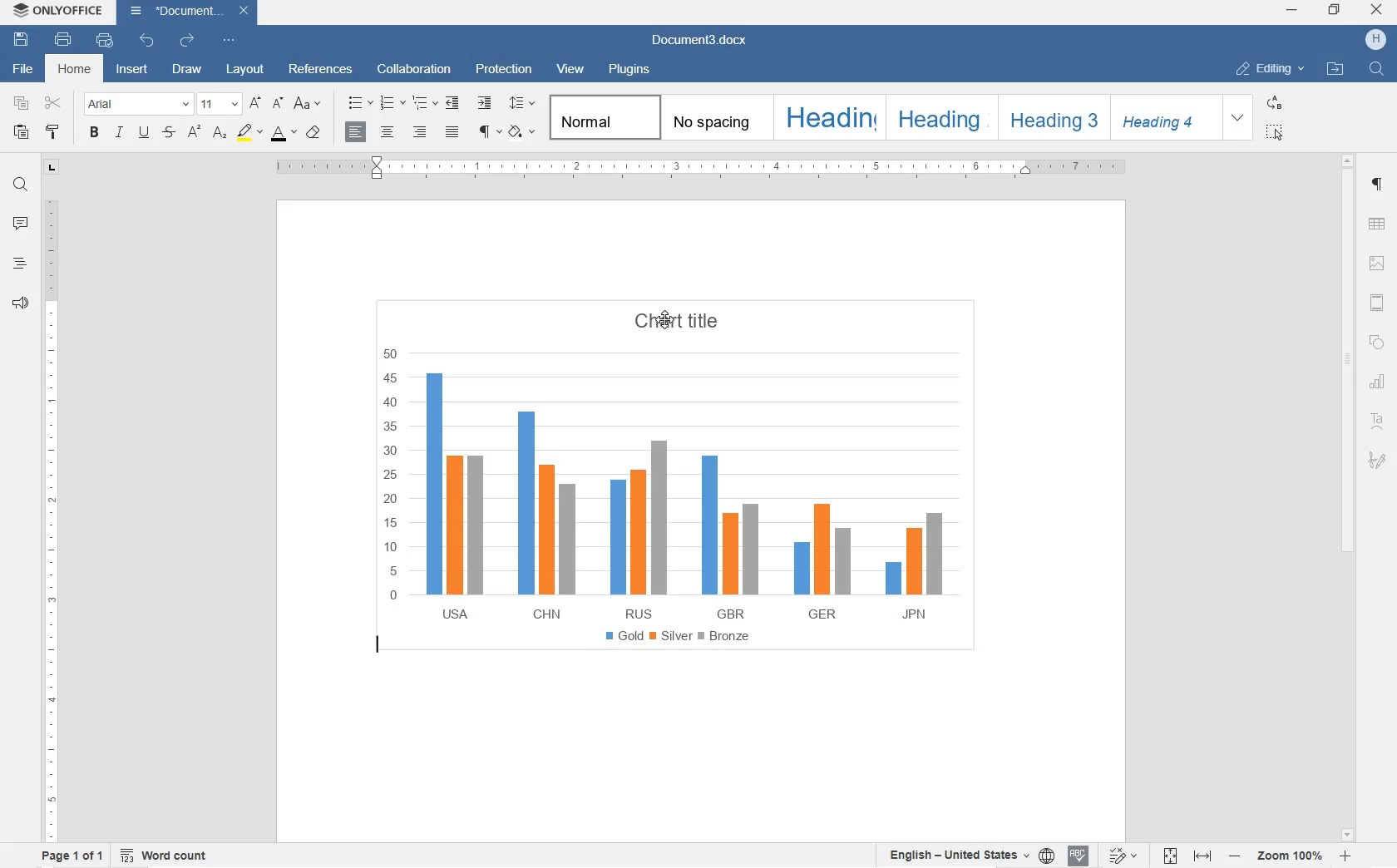  What do you see at coordinates (21, 303) in the screenshot?
I see `FEEDBACK & SUPPORT` at bounding box center [21, 303].